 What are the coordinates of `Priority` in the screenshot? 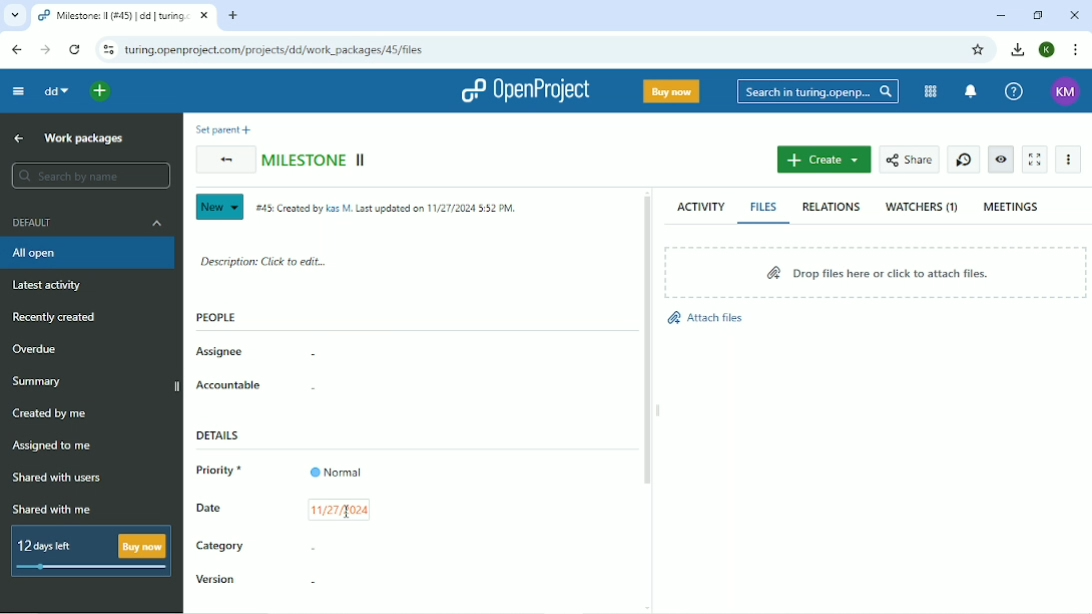 It's located at (224, 472).